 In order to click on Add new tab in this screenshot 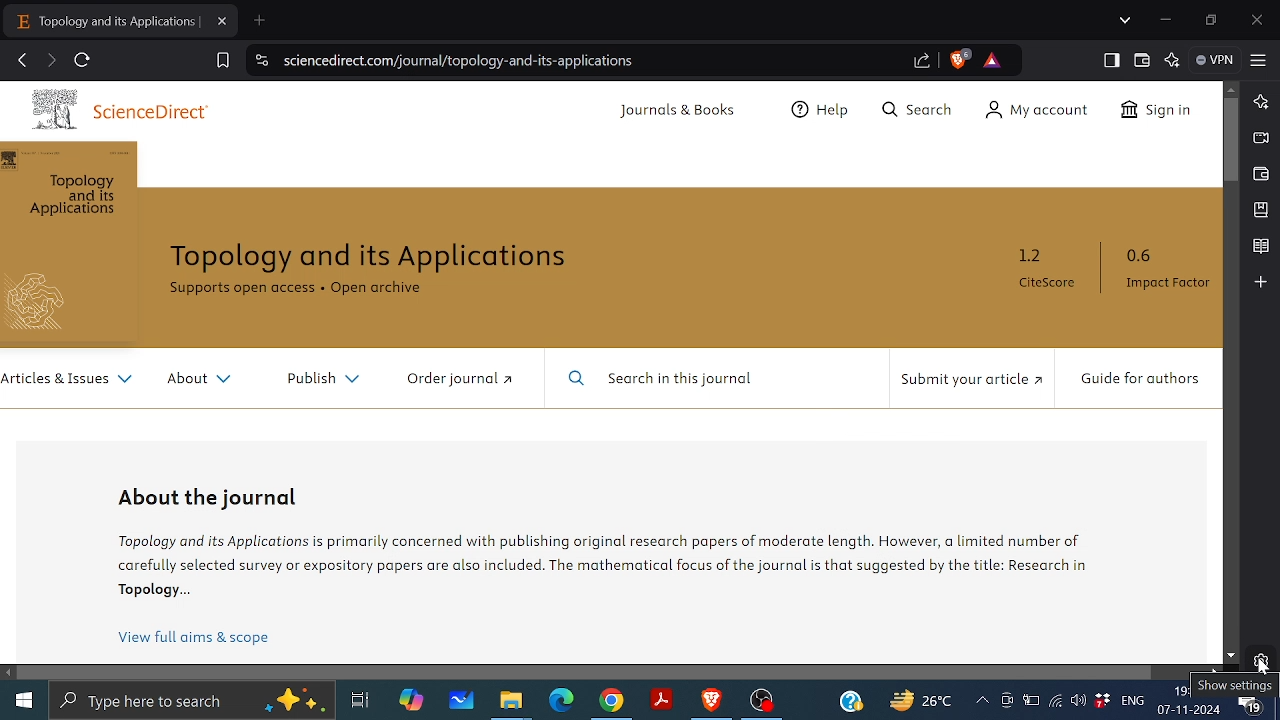, I will do `click(259, 20)`.